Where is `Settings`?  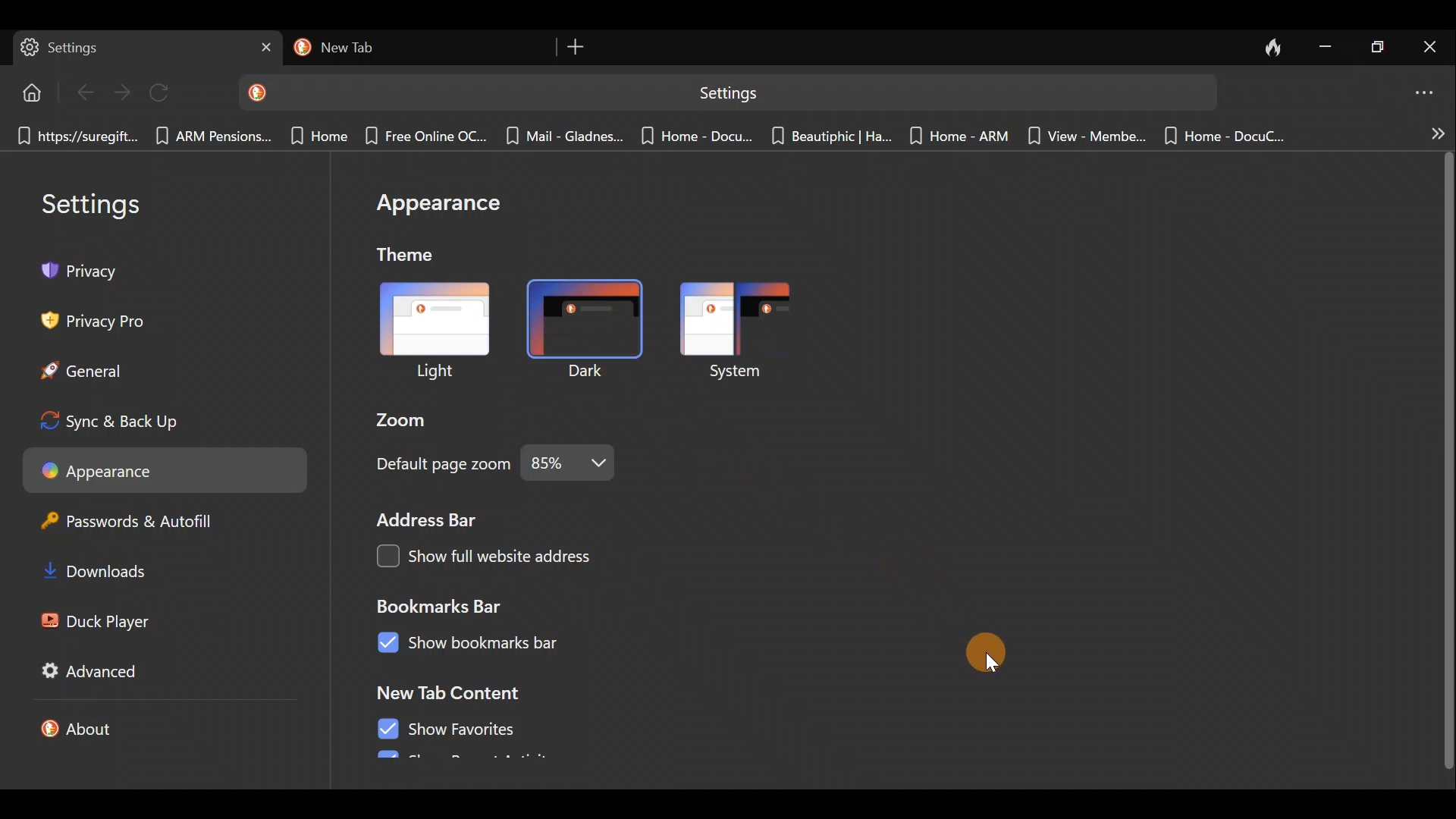 Settings is located at coordinates (106, 202).